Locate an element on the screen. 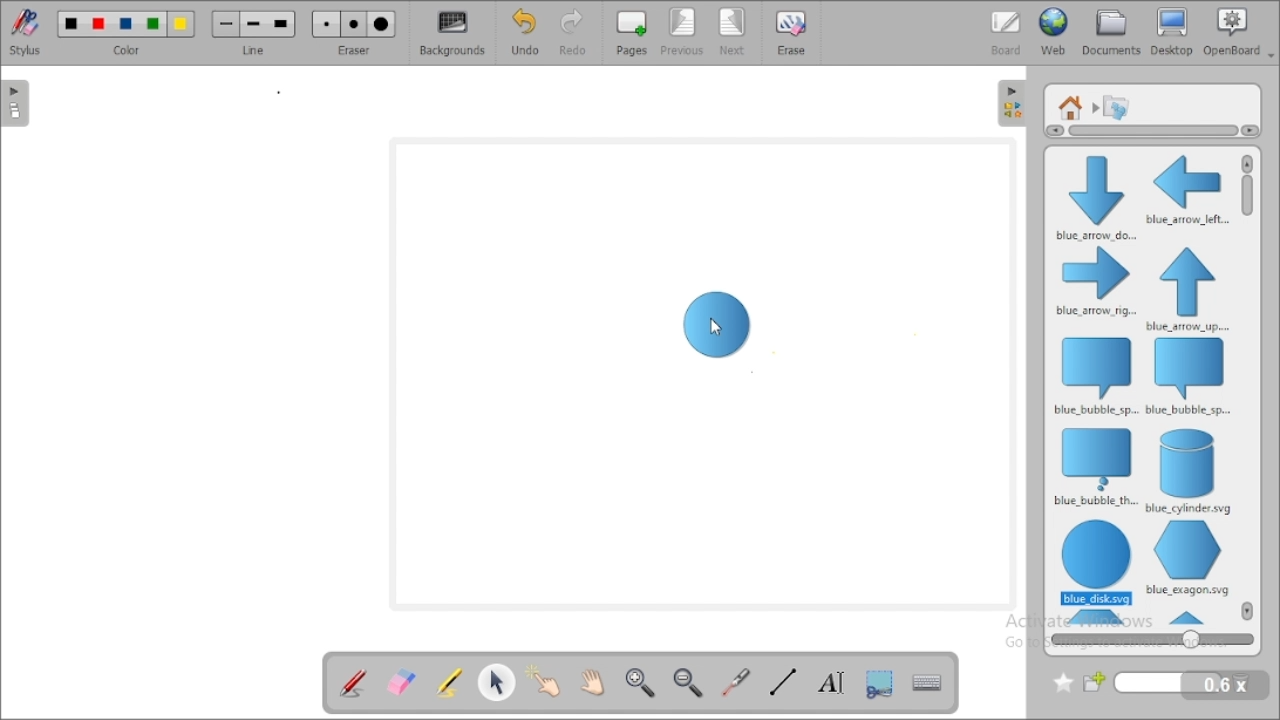  line is located at coordinates (254, 32).